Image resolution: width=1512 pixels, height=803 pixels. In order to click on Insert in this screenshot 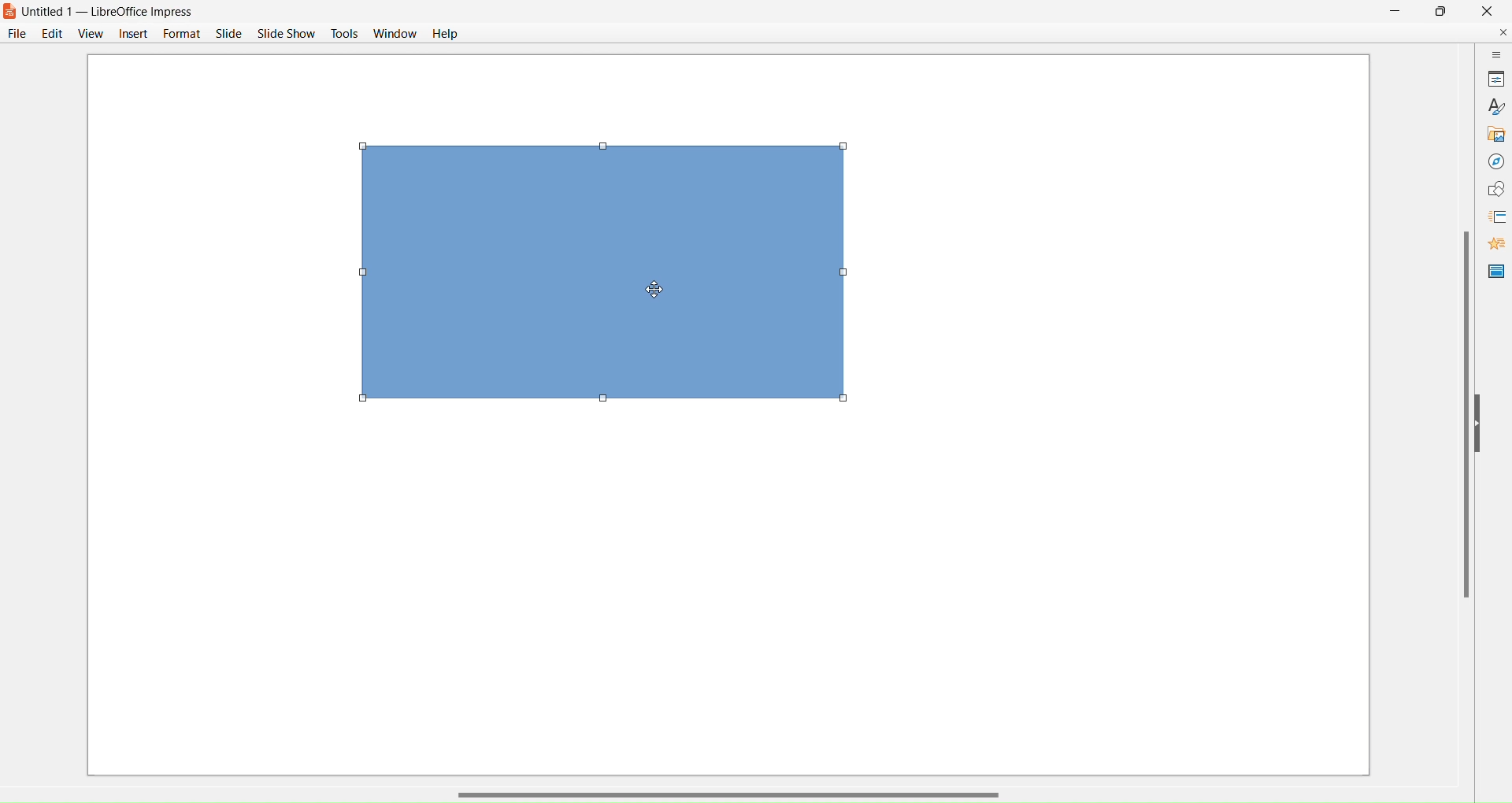, I will do `click(132, 33)`.